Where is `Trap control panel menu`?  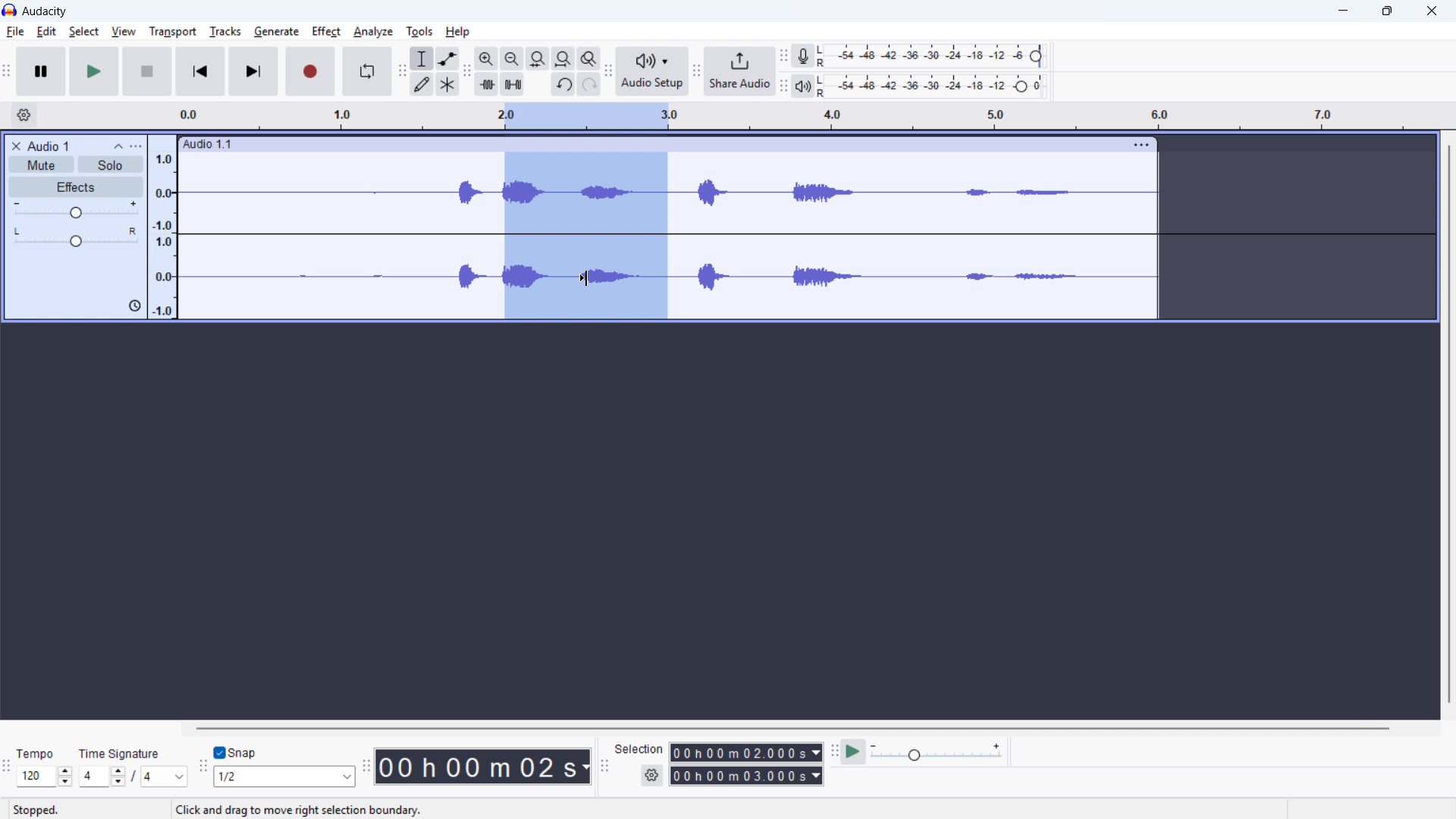
Trap control panel menu is located at coordinates (136, 146).